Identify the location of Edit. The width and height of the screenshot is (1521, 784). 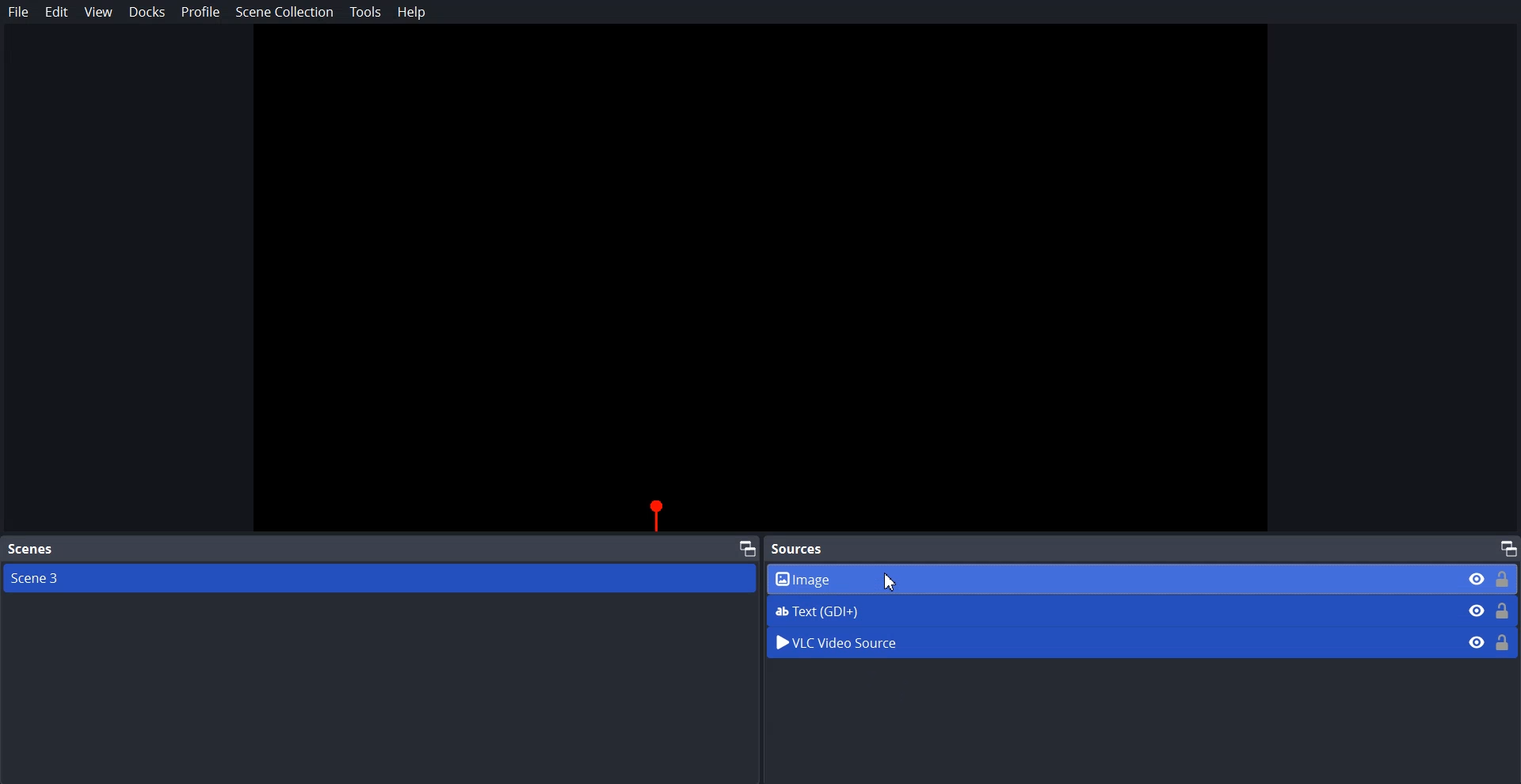
(57, 12).